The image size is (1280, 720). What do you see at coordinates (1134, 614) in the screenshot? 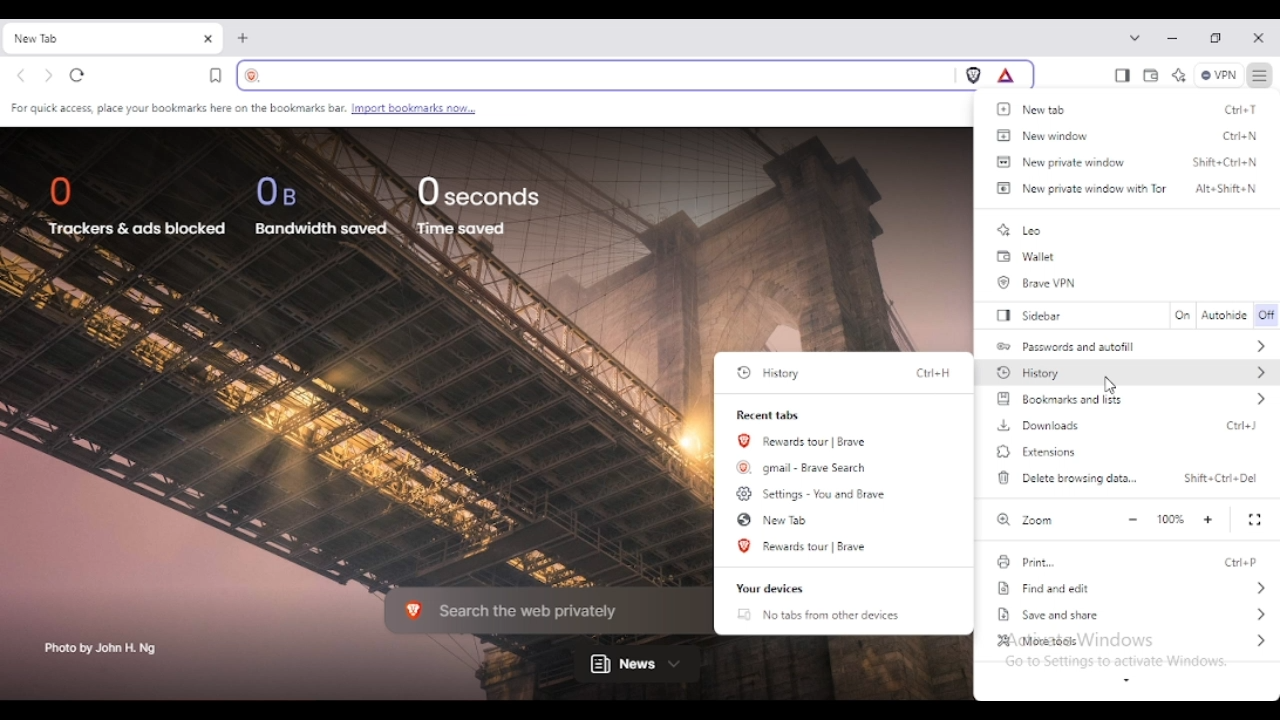
I see `save and share` at bounding box center [1134, 614].